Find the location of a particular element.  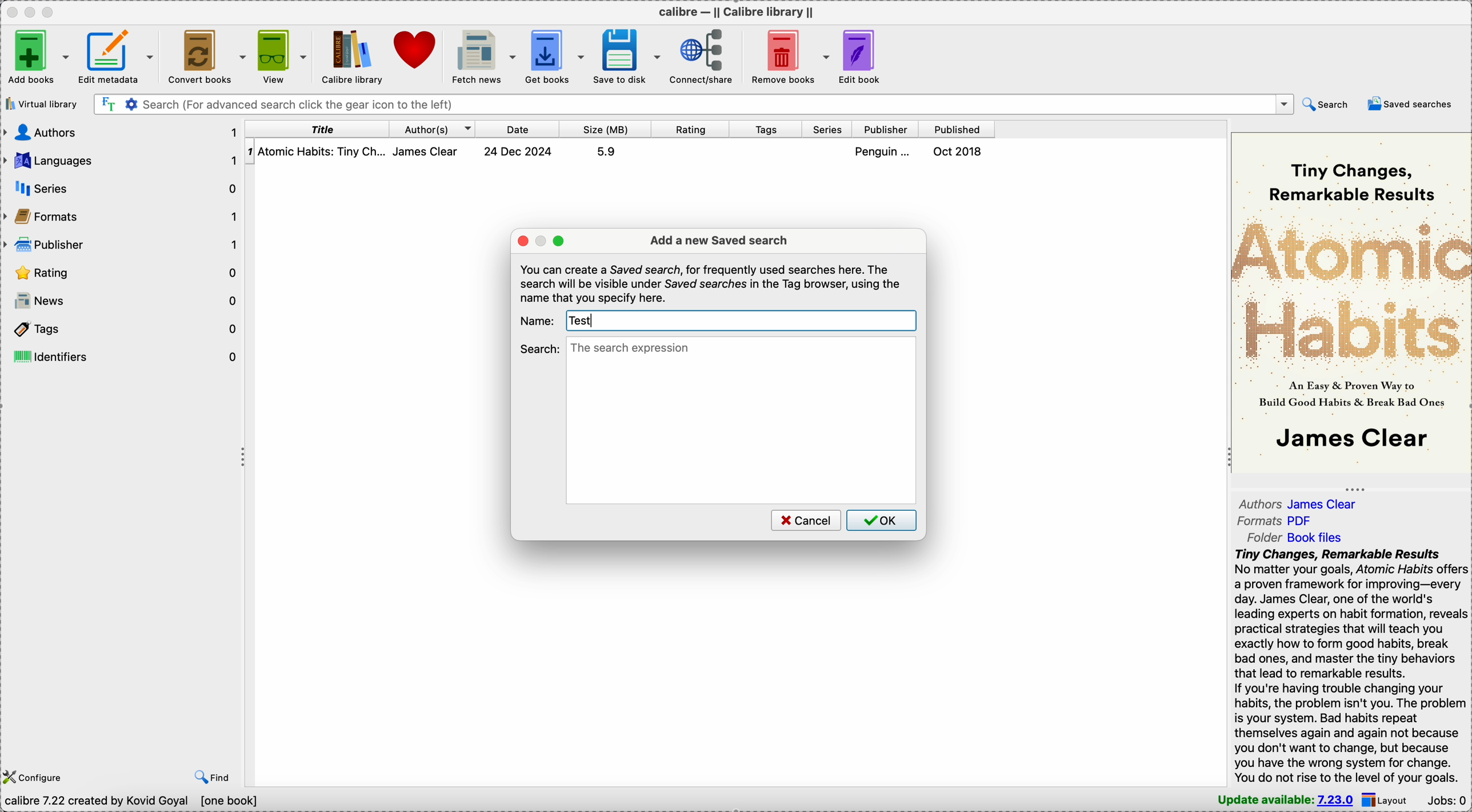

maximize is located at coordinates (51, 11).